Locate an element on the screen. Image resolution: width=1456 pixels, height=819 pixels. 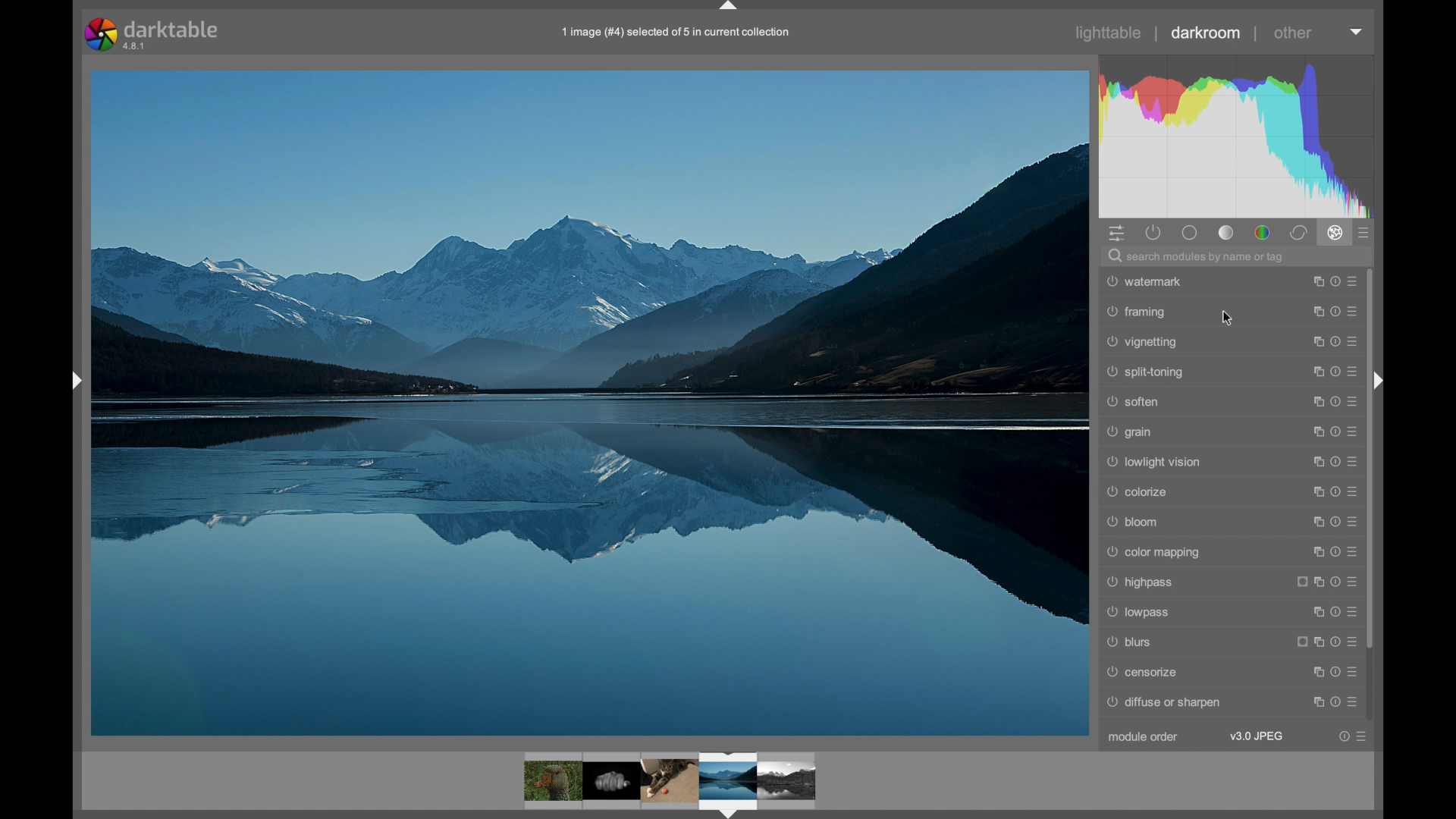
correct is located at coordinates (1300, 232).